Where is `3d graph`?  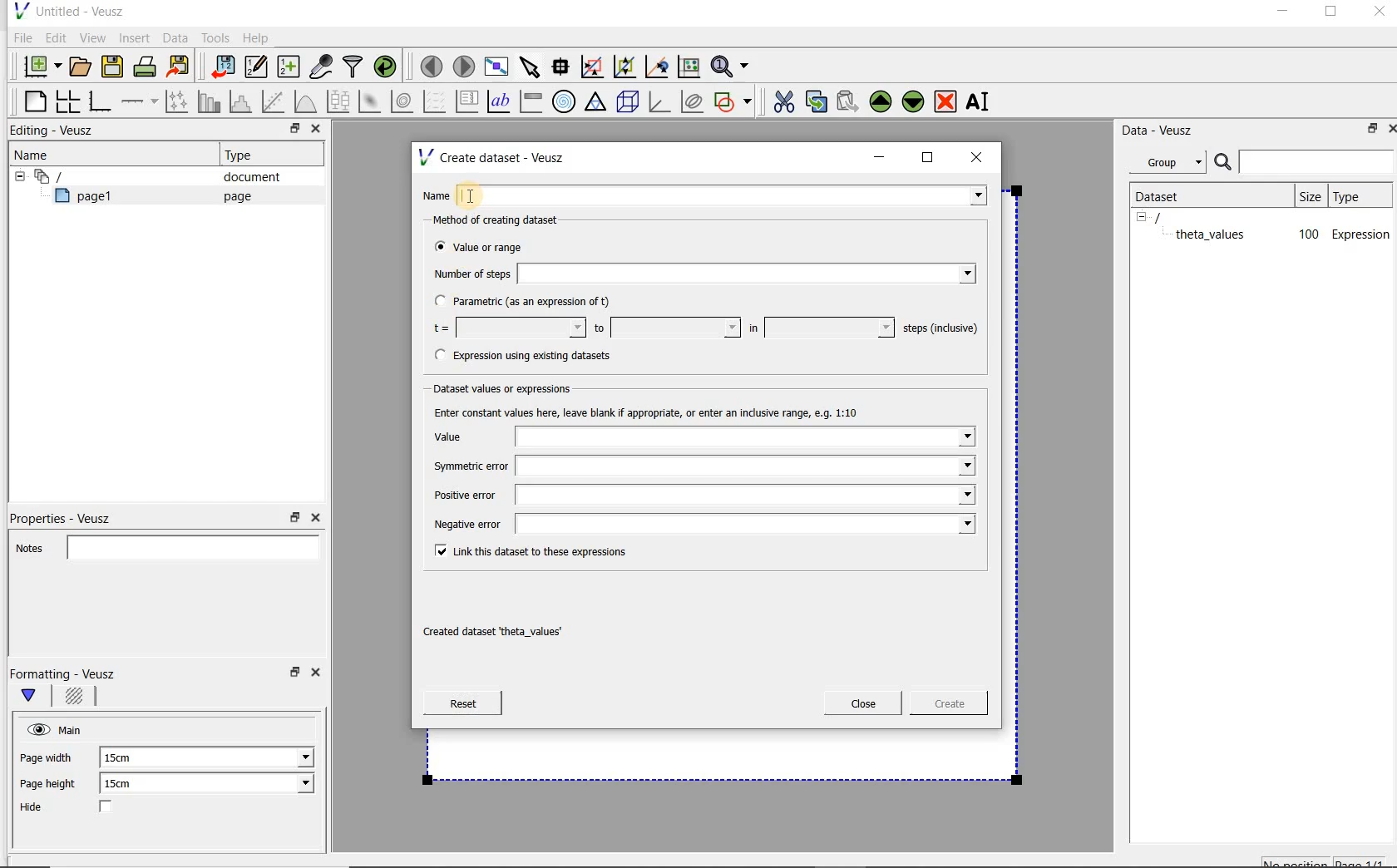 3d graph is located at coordinates (660, 103).